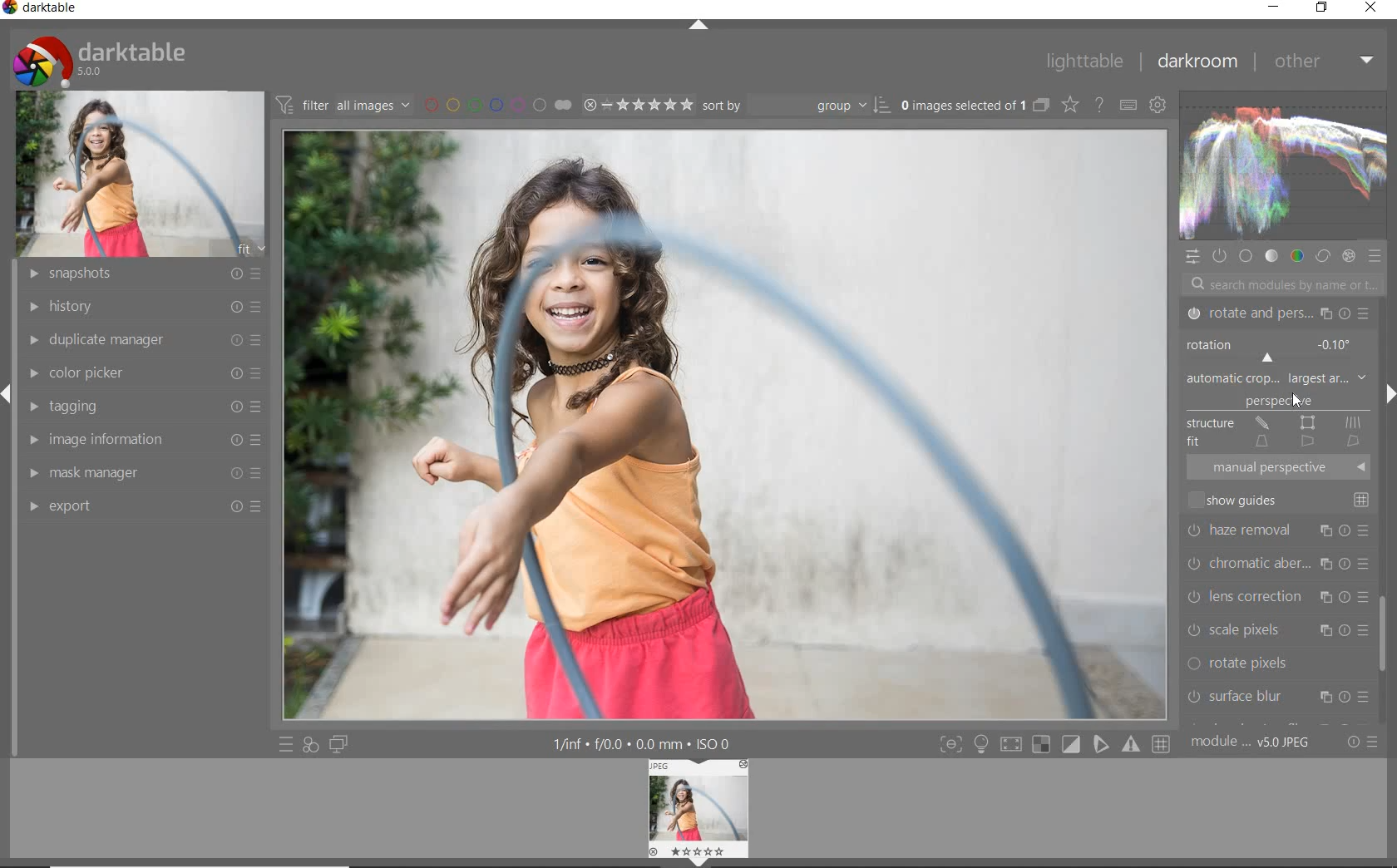 This screenshot has width=1397, height=868. What do you see at coordinates (1281, 165) in the screenshot?
I see `waveform` at bounding box center [1281, 165].